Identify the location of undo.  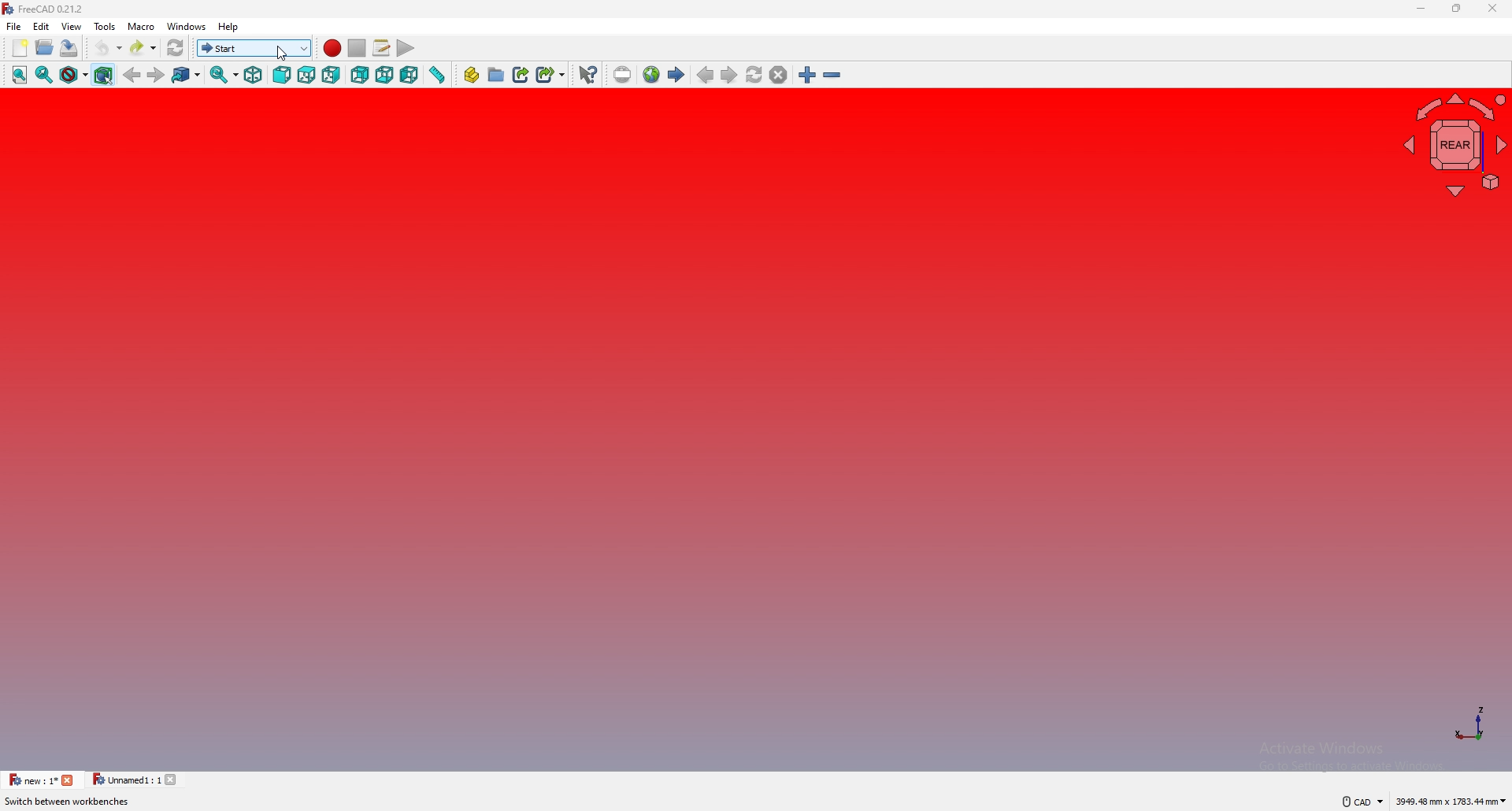
(108, 48).